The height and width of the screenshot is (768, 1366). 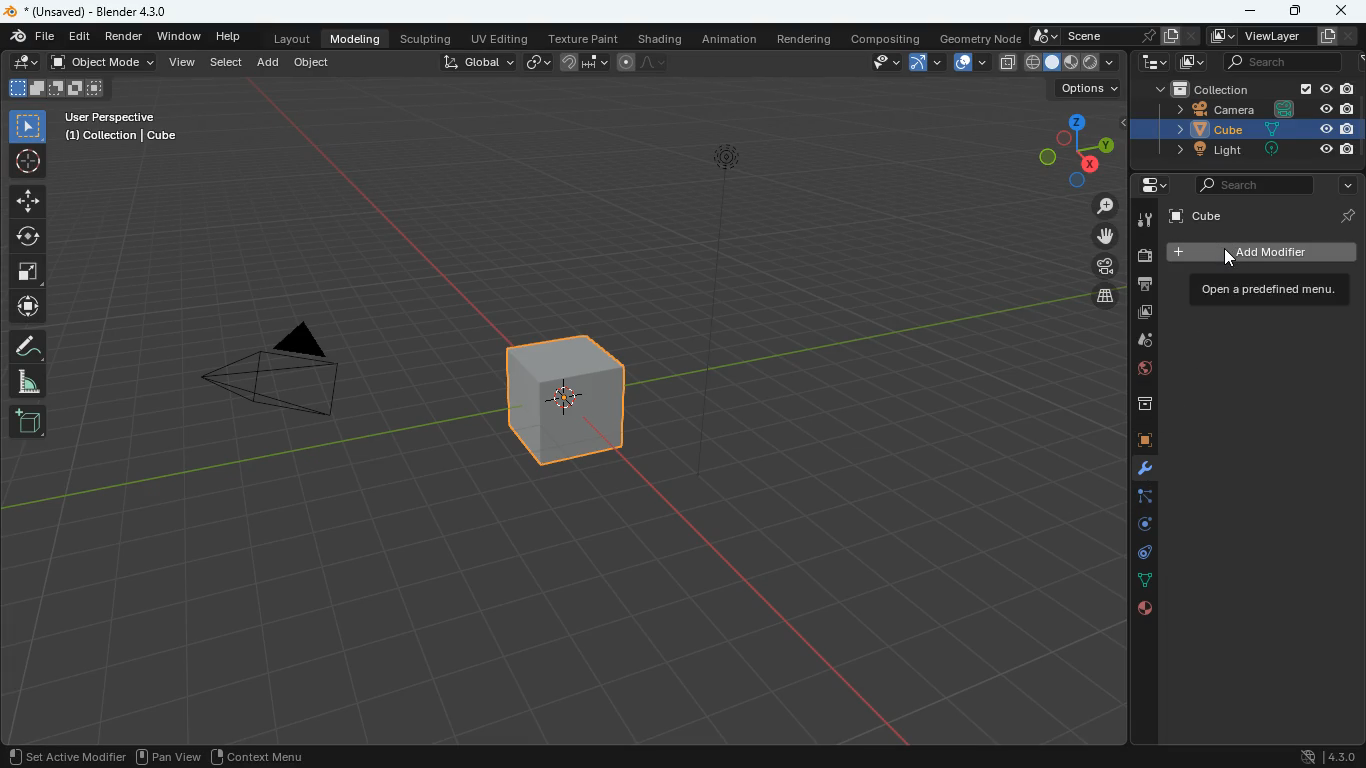 I want to click on cube, so click(x=1135, y=441).